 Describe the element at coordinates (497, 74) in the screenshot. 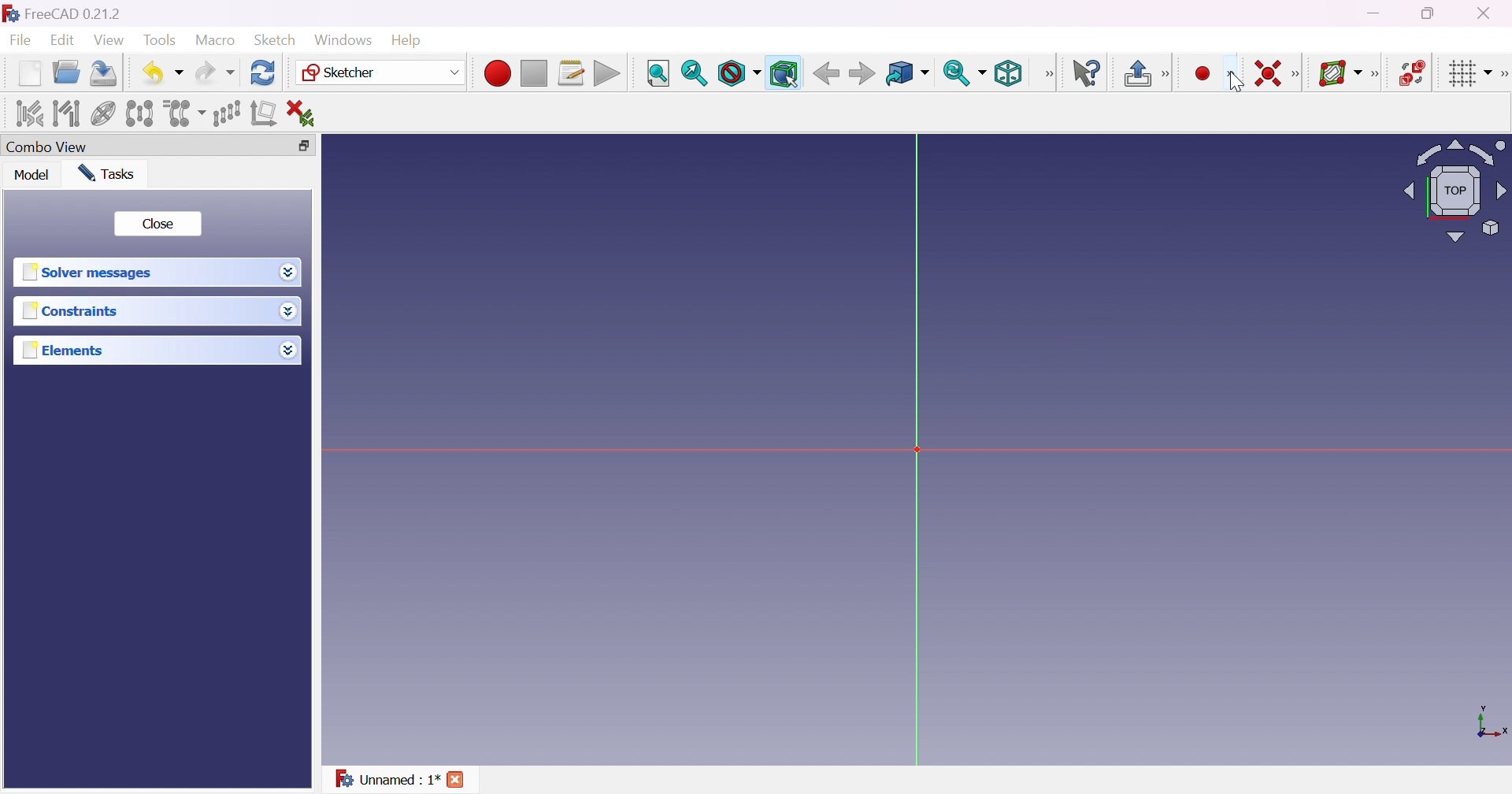

I see `Macro recording...` at that location.